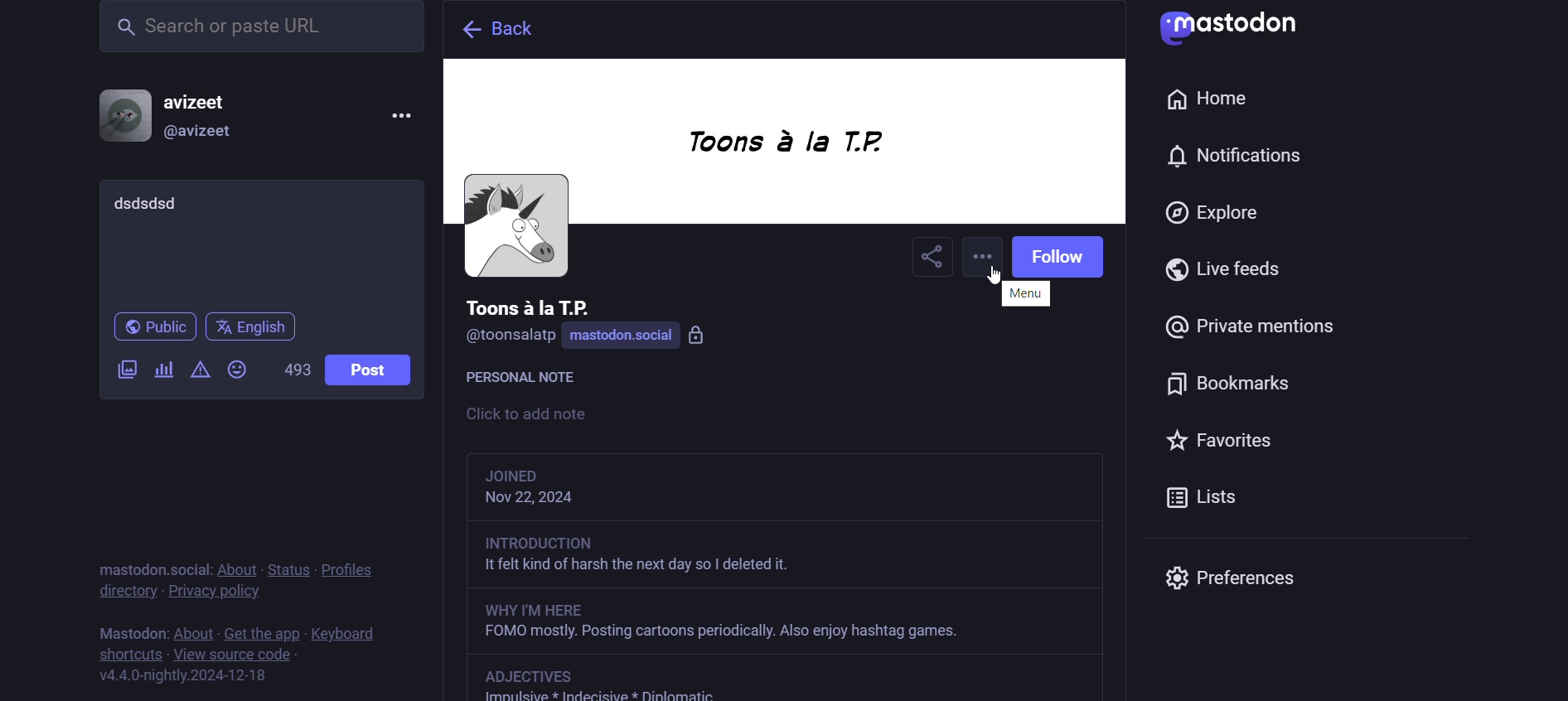 The width and height of the screenshot is (1568, 701). What do you see at coordinates (399, 117) in the screenshot?
I see `menu` at bounding box center [399, 117].